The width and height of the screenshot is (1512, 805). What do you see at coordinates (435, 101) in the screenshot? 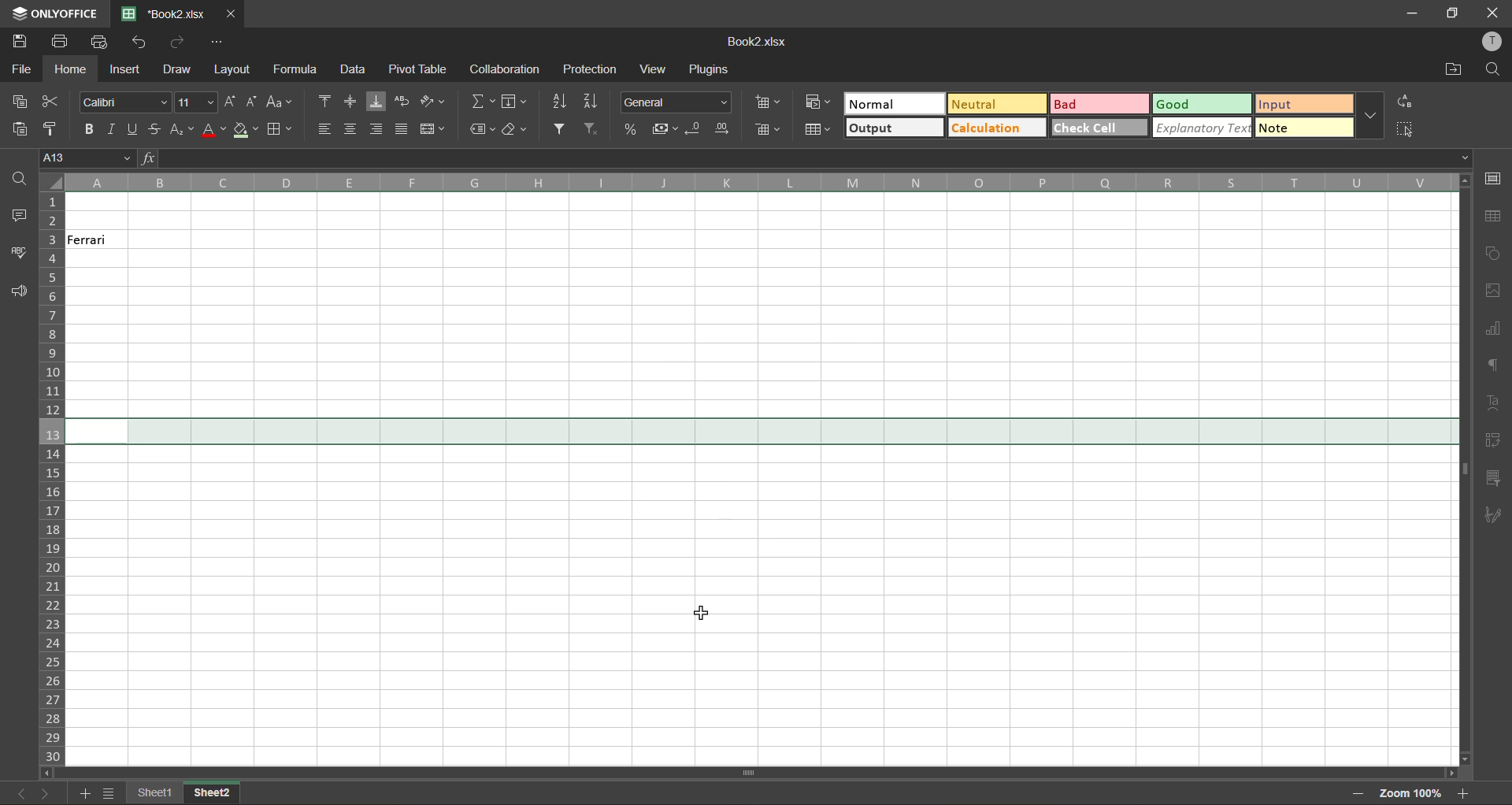
I see `orientation` at bounding box center [435, 101].